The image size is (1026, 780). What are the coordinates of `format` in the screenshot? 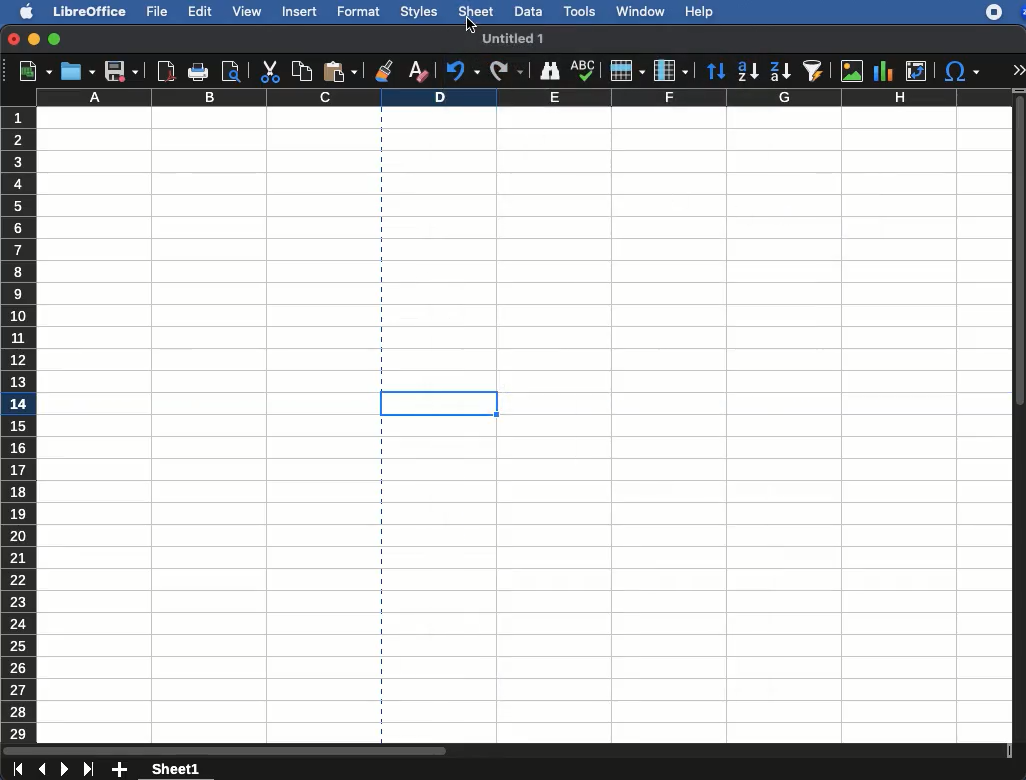 It's located at (358, 10).